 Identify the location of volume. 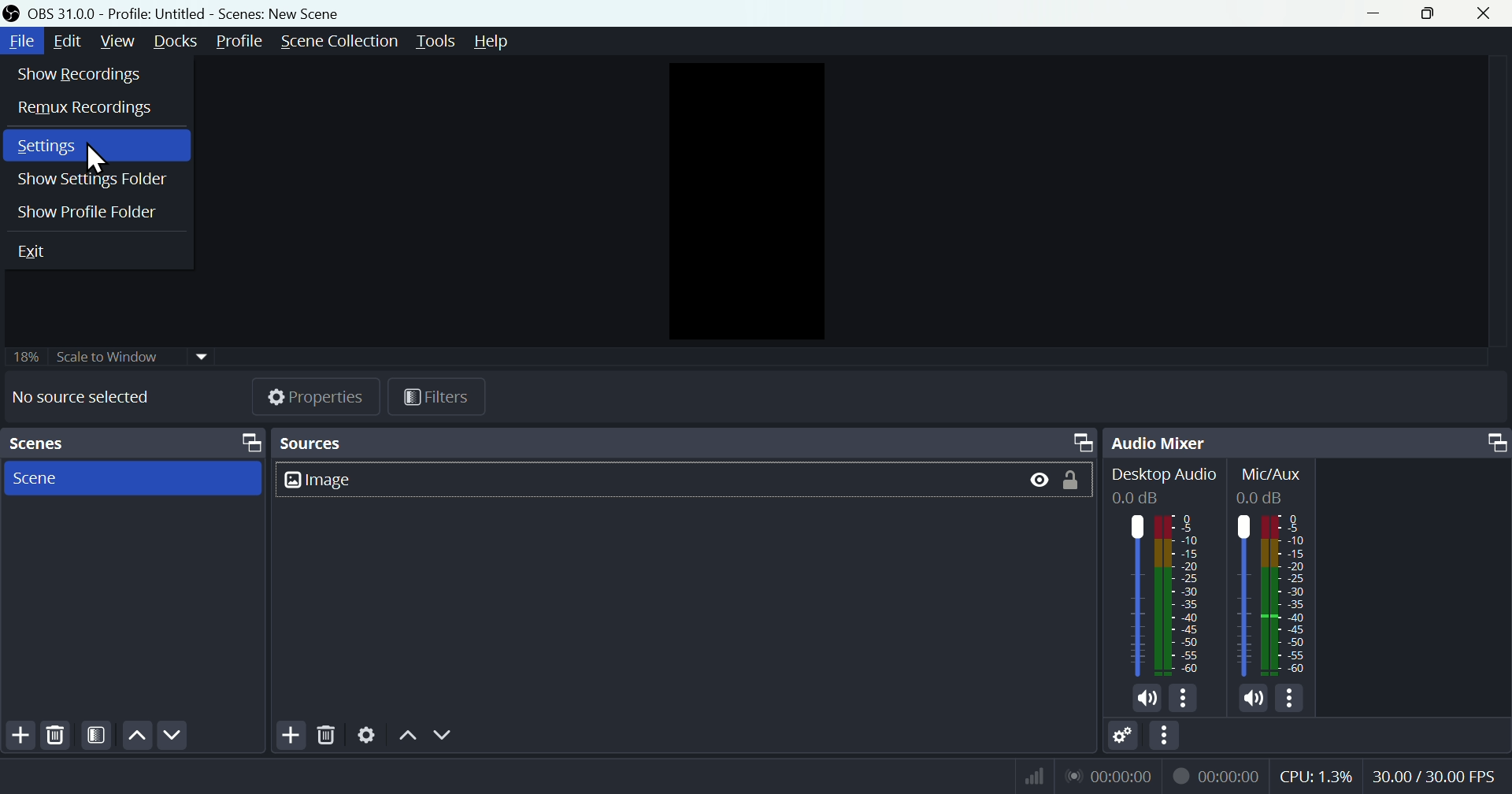
(1251, 699).